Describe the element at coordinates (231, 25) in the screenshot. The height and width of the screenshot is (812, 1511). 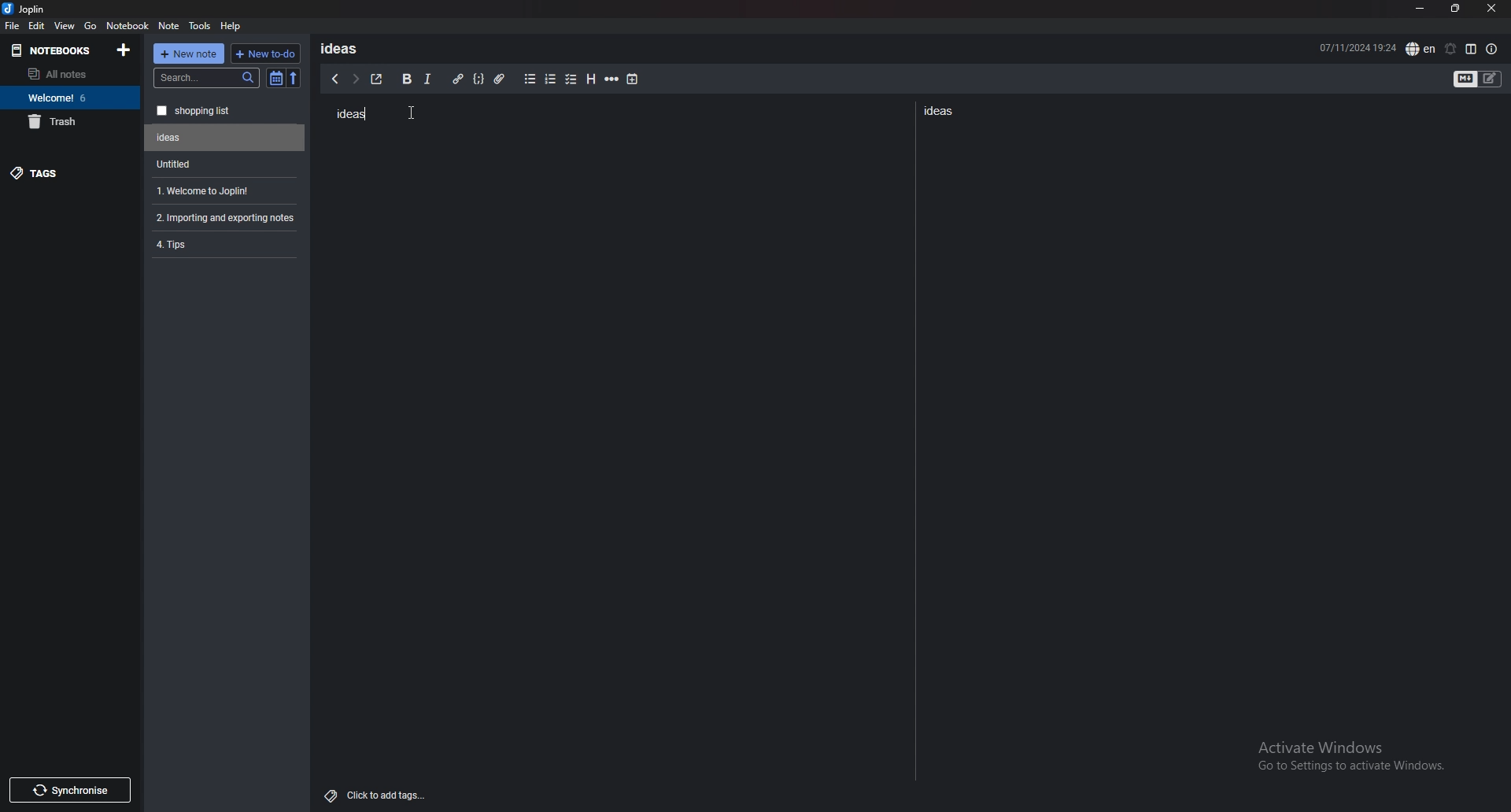
I see `help` at that location.